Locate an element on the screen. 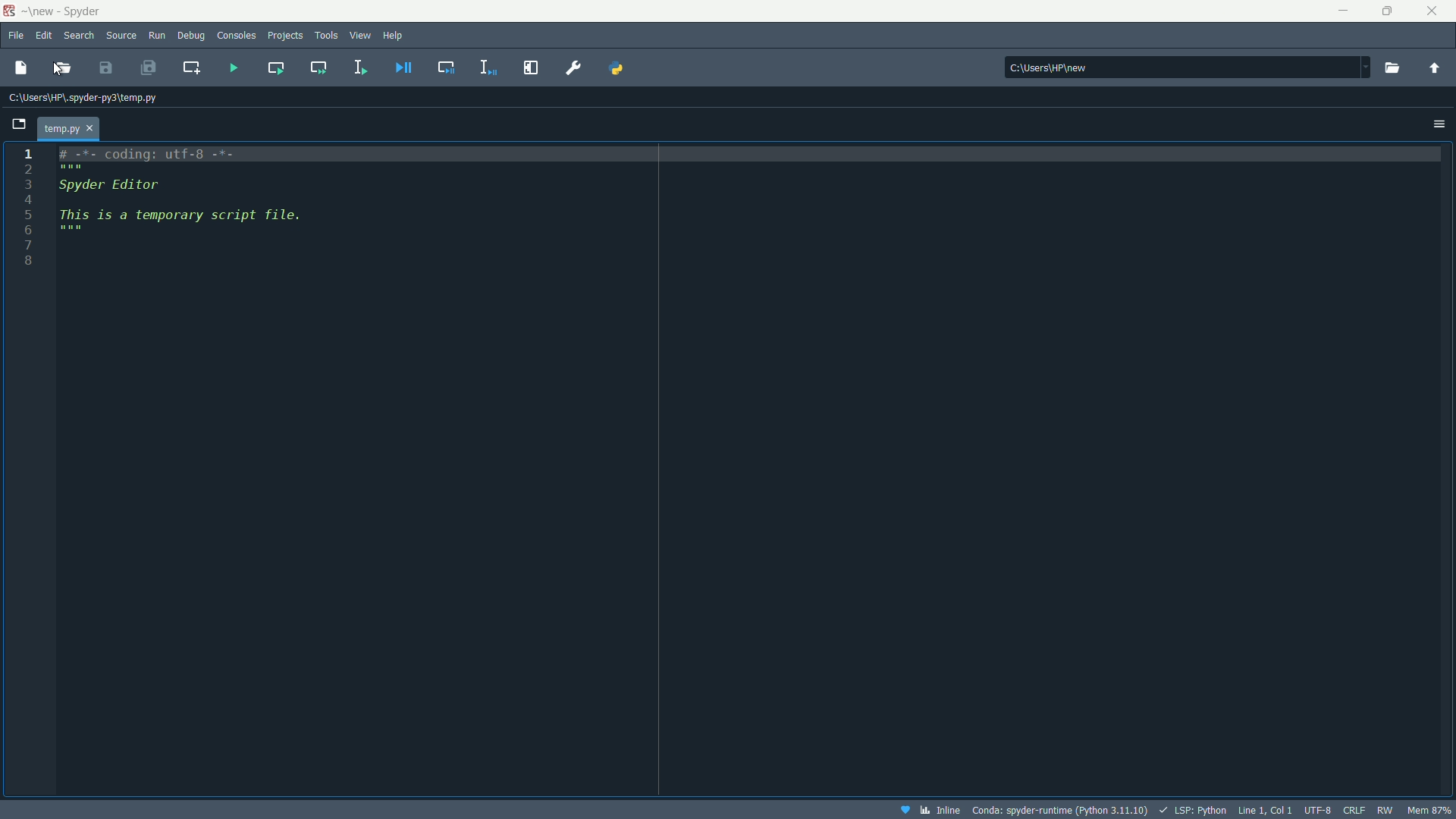 This screenshot has width=1456, height=819. Projects menu is located at coordinates (285, 35).